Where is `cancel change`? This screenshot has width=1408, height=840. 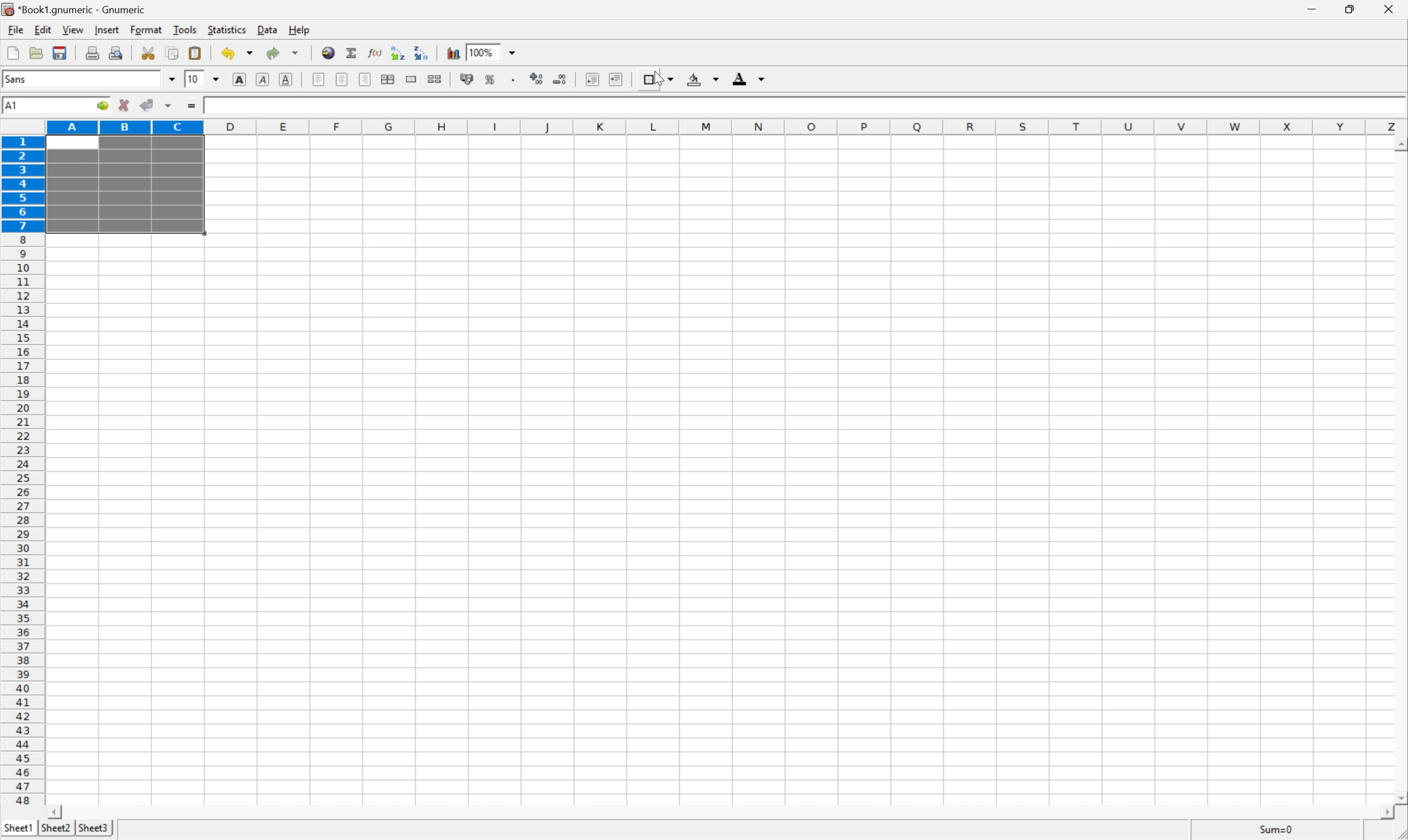 cancel change is located at coordinates (124, 106).